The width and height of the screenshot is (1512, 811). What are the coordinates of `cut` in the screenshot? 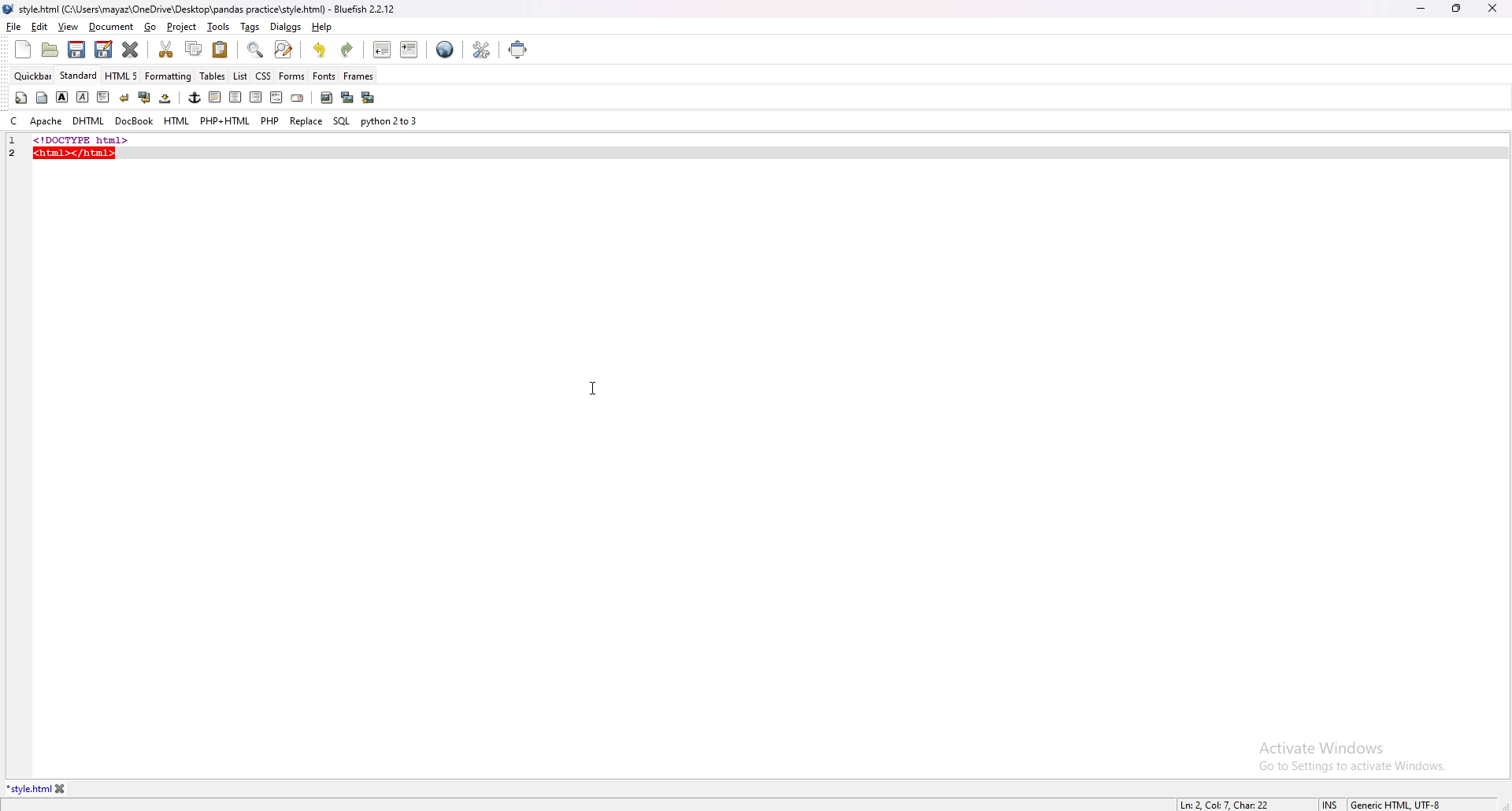 It's located at (168, 49).